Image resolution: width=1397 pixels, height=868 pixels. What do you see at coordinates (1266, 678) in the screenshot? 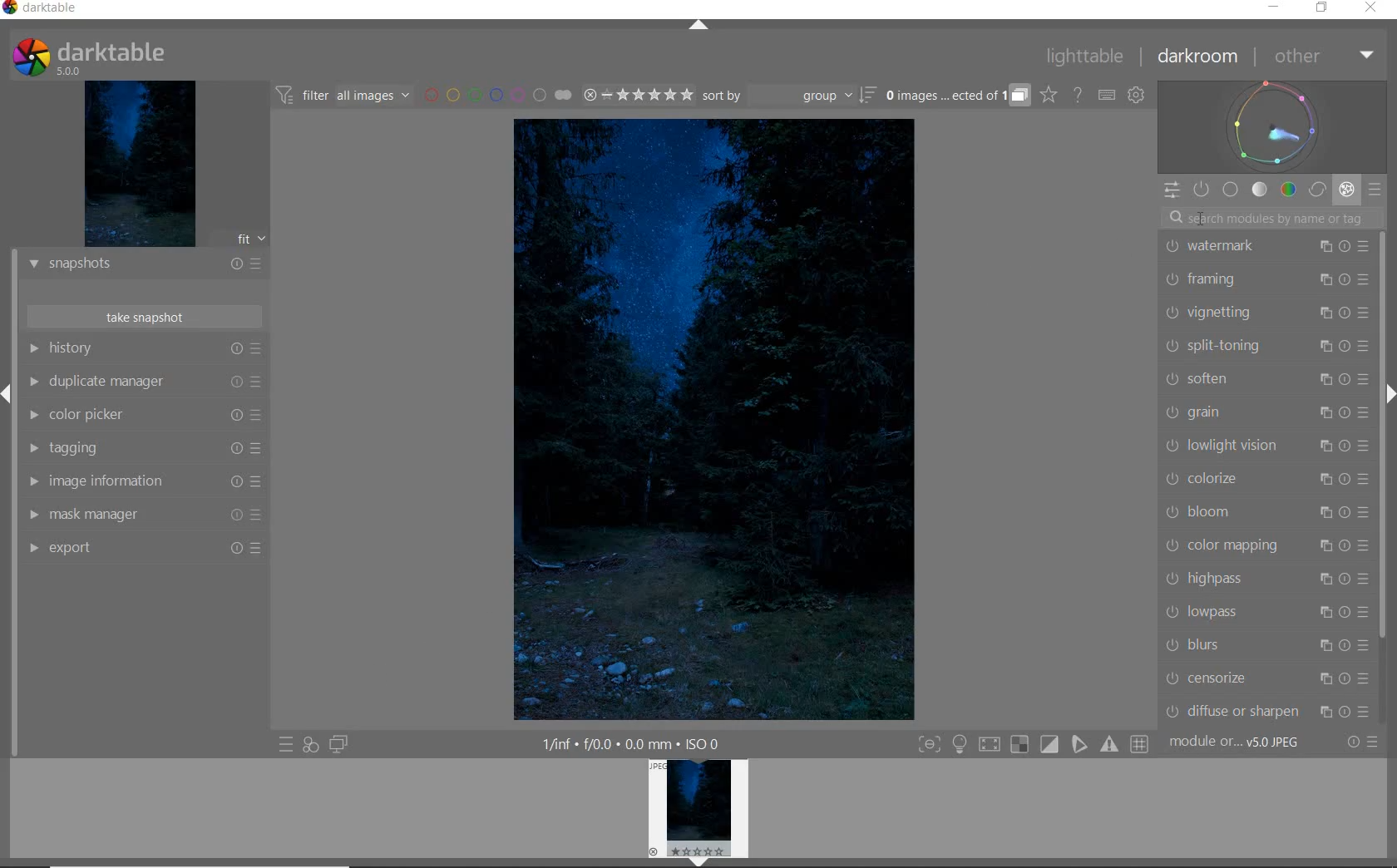
I see `CENSORIZE` at bounding box center [1266, 678].